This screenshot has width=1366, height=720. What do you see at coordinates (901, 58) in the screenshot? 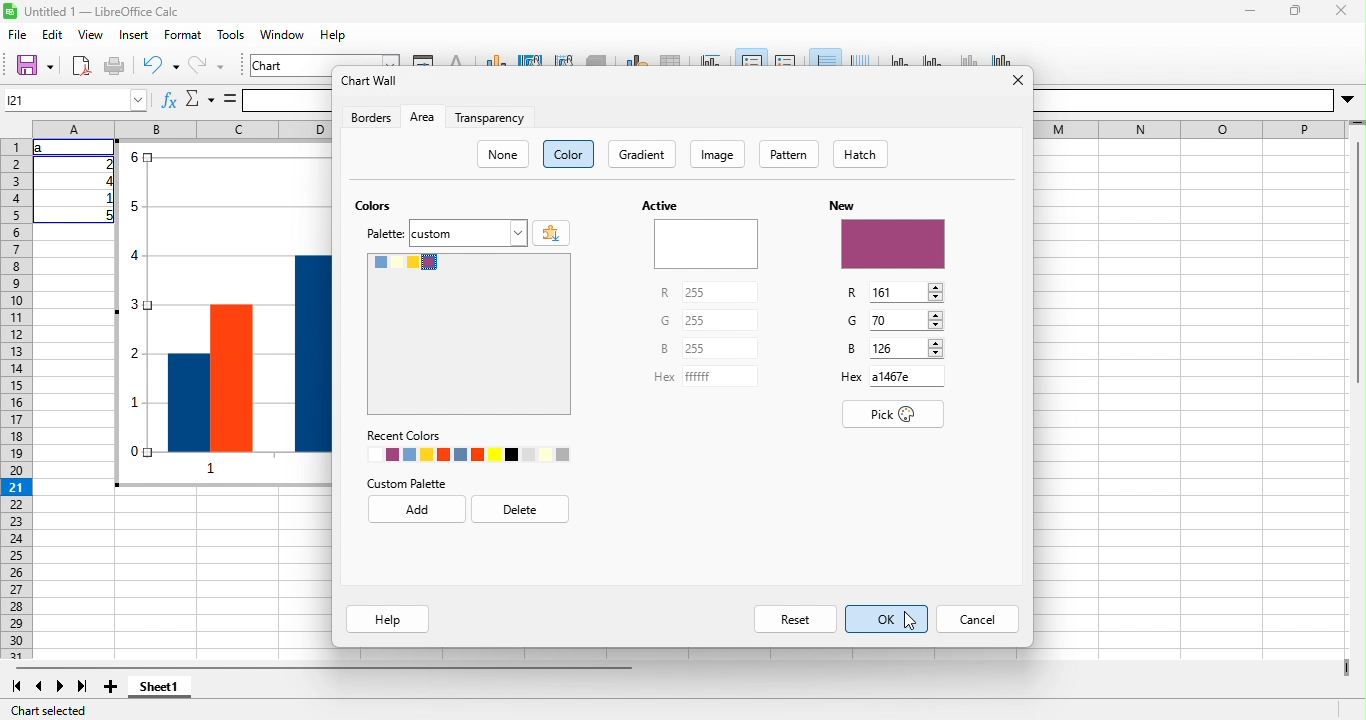
I see `x axis` at bounding box center [901, 58].